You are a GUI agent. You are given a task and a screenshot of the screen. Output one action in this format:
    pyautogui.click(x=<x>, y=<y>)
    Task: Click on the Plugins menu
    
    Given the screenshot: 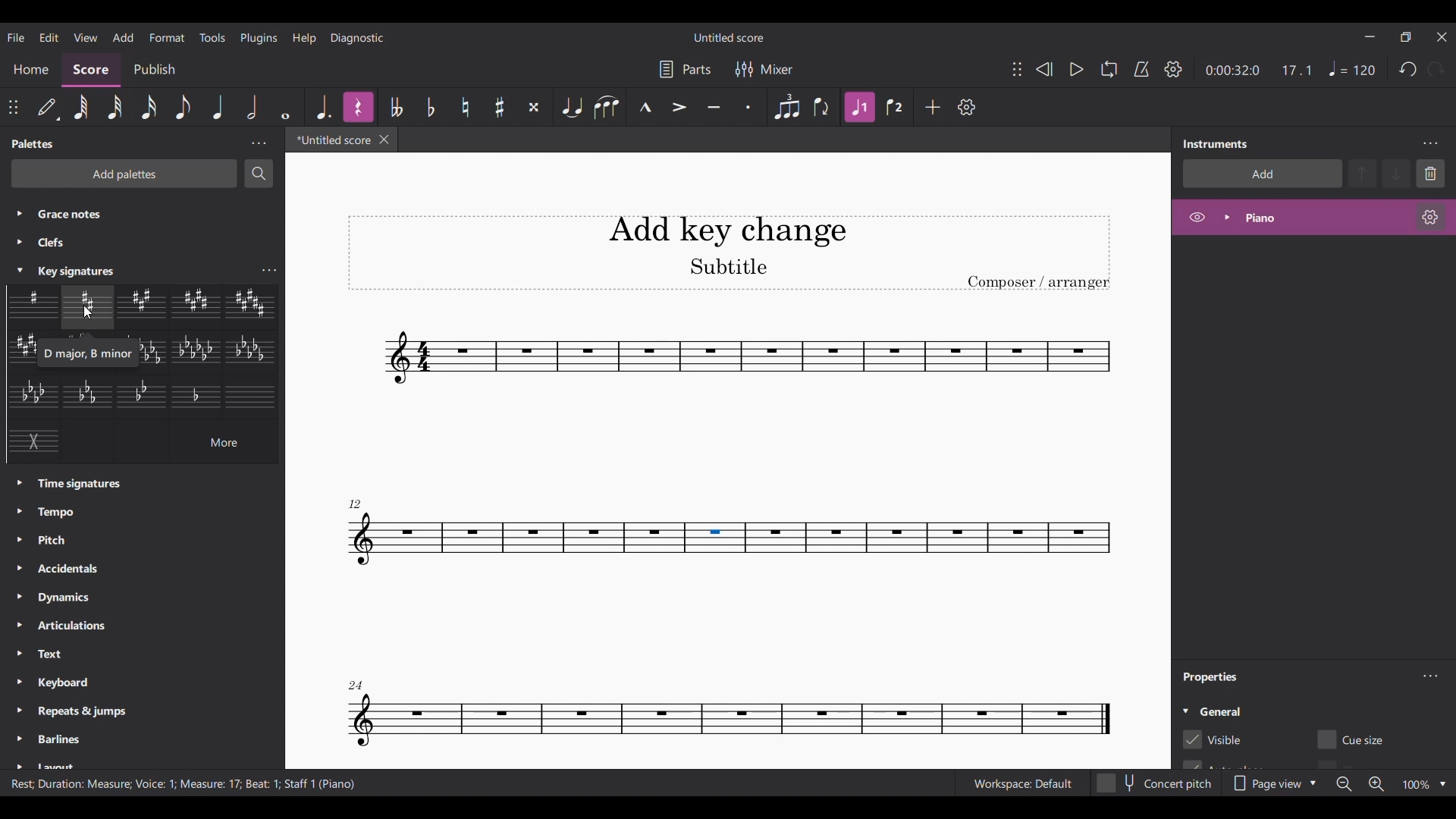 What is the action you would take?
    pyautogui.click(x=258, y=37)
    